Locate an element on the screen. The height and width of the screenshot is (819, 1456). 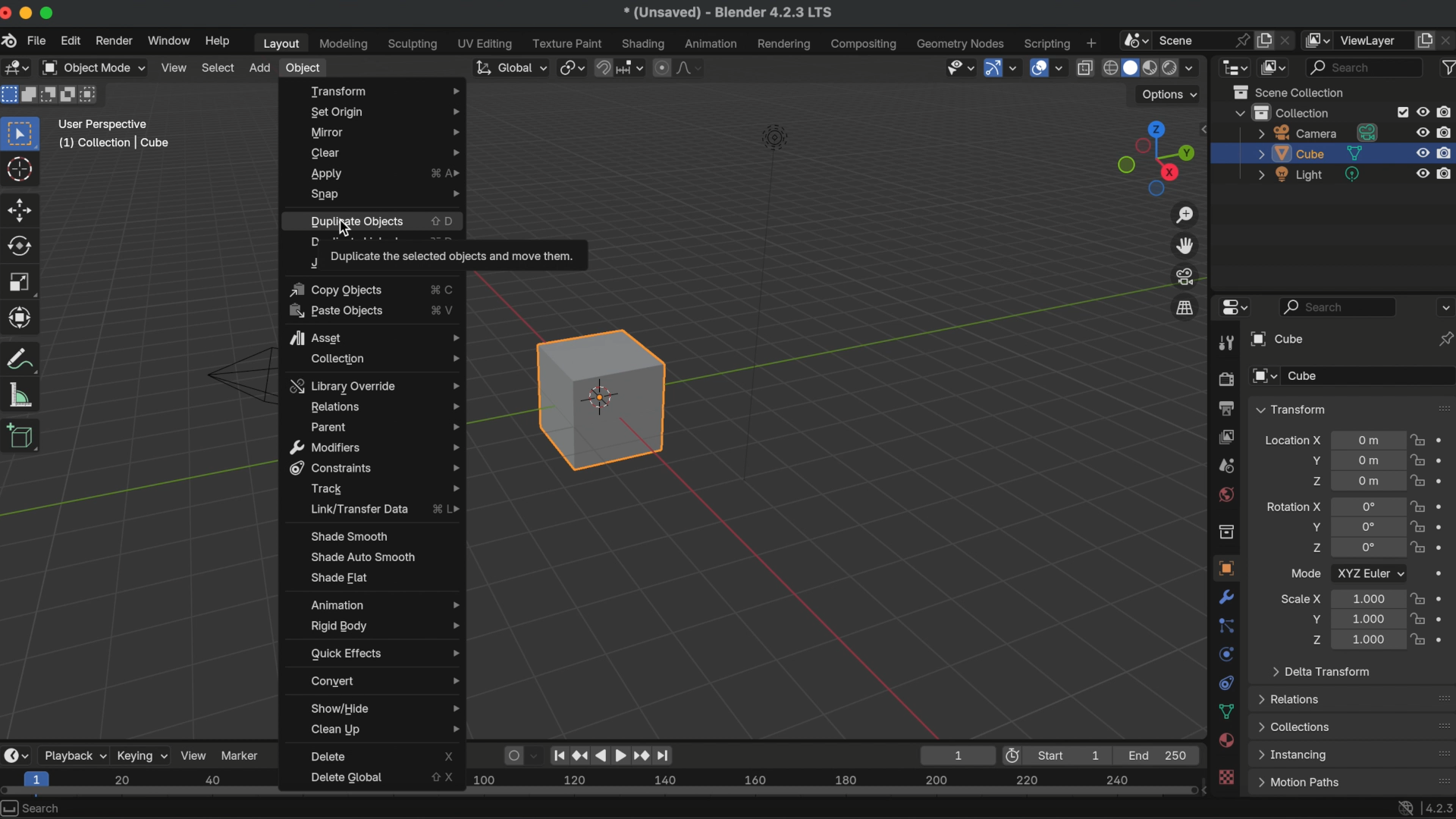
constraints menu is located at coordinates (376, 468).